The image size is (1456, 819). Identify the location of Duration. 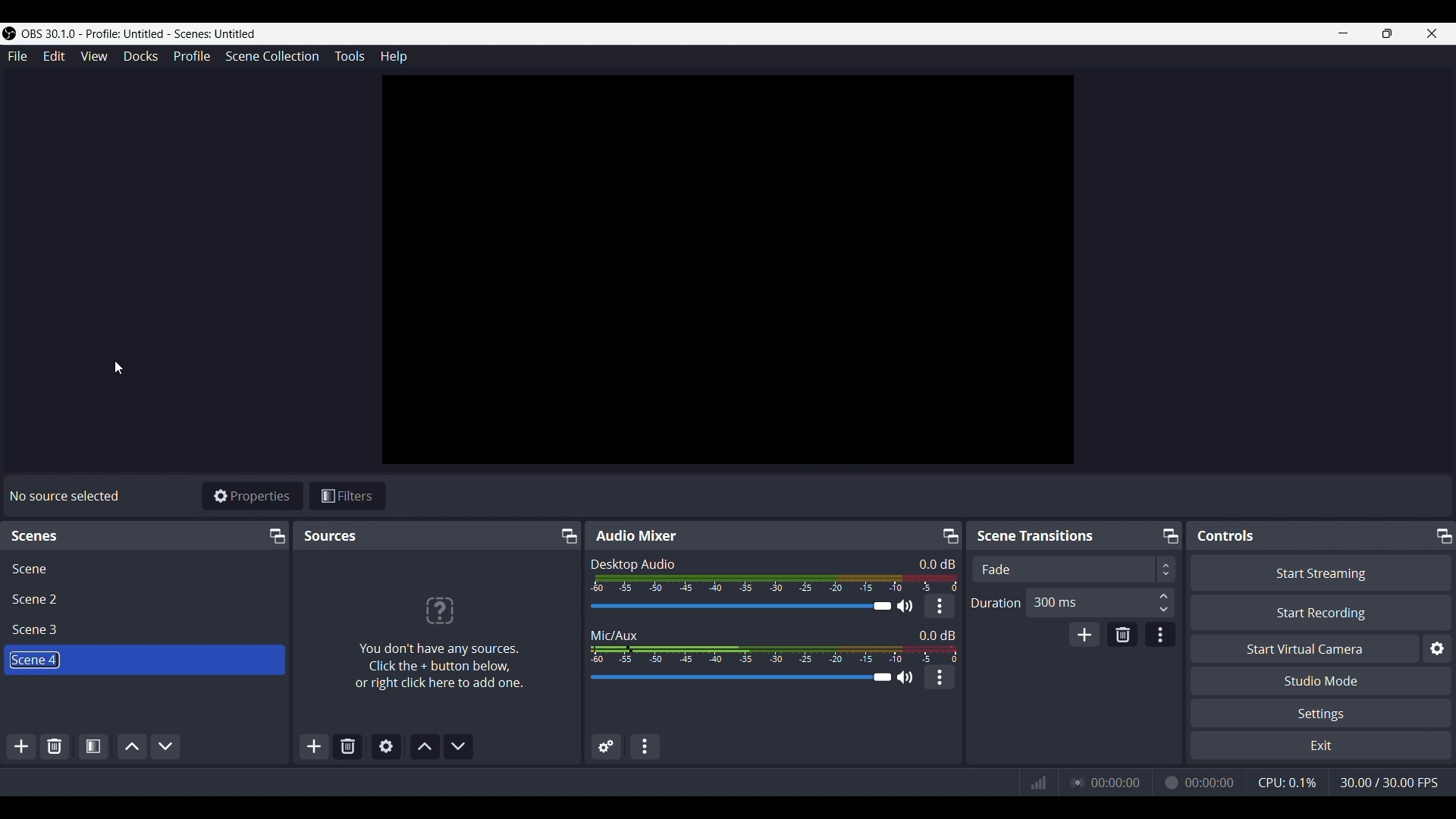
(996, 604).